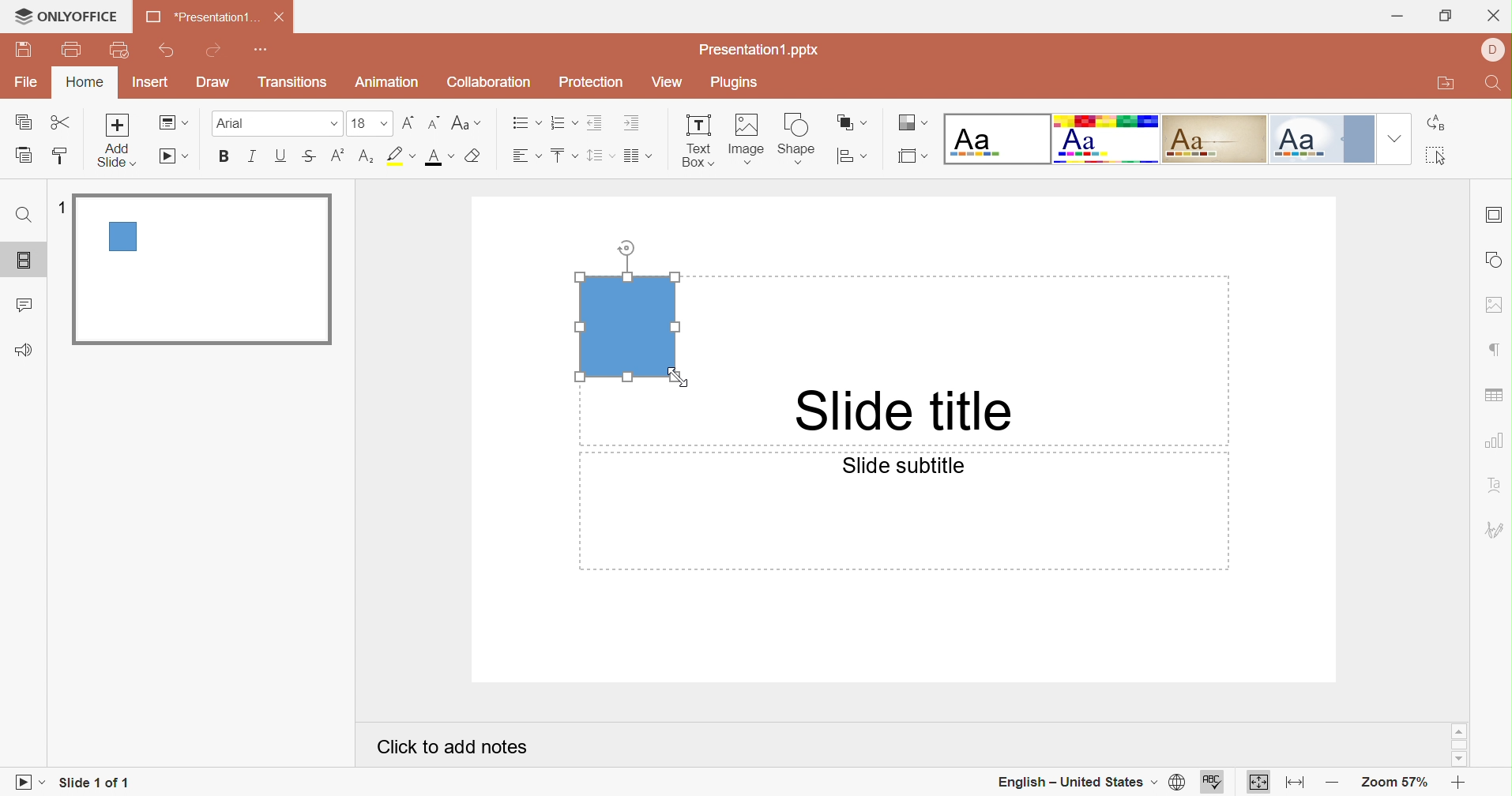 The height and width of the screenshot is (796, 1512). Describe the element at coordinates (897, 411) in the screenshot. I see `Slide title` at that location.